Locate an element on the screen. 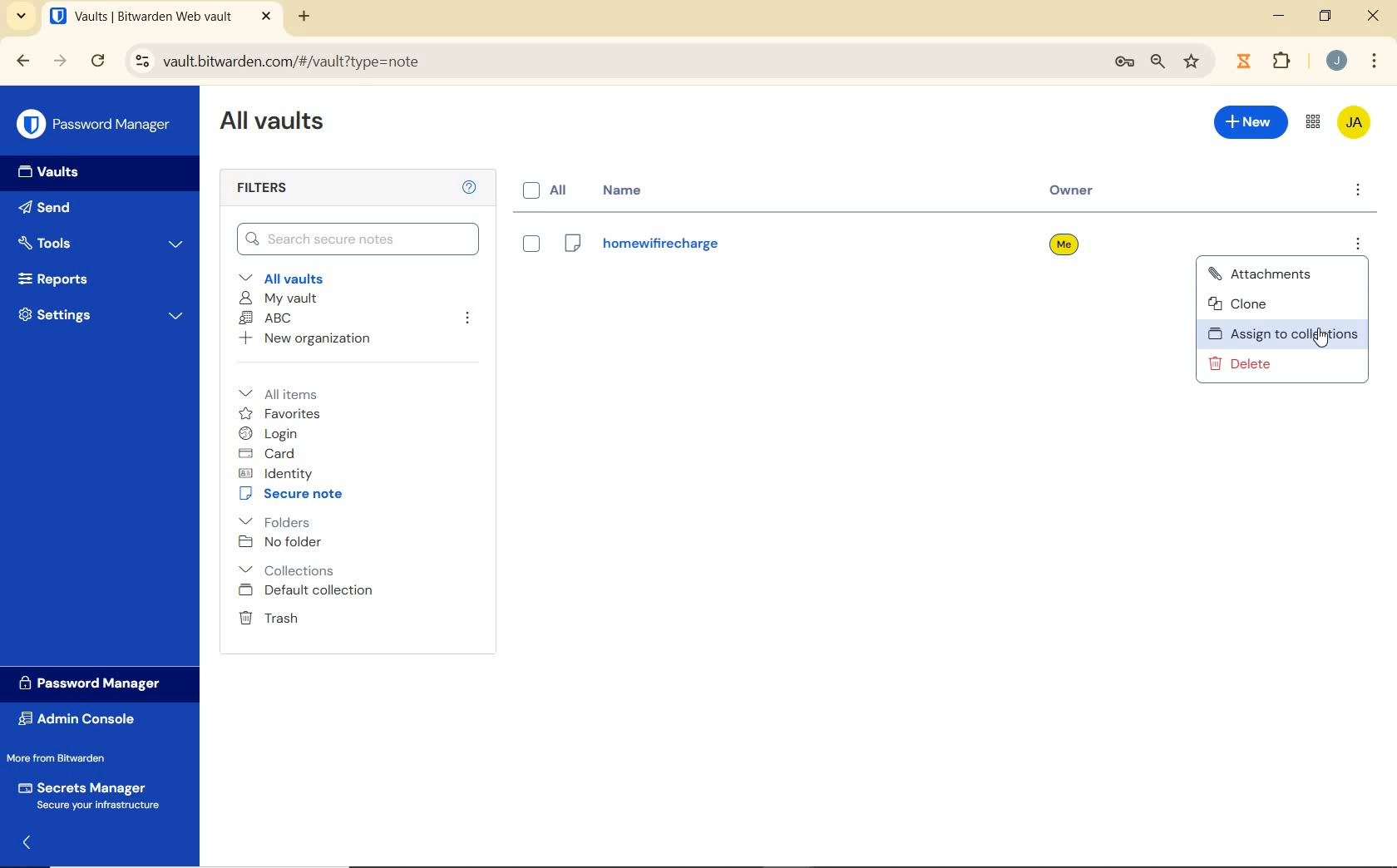 This screenshot has height=868, width=1397. bookmark is located at coordinates (1193, 62).